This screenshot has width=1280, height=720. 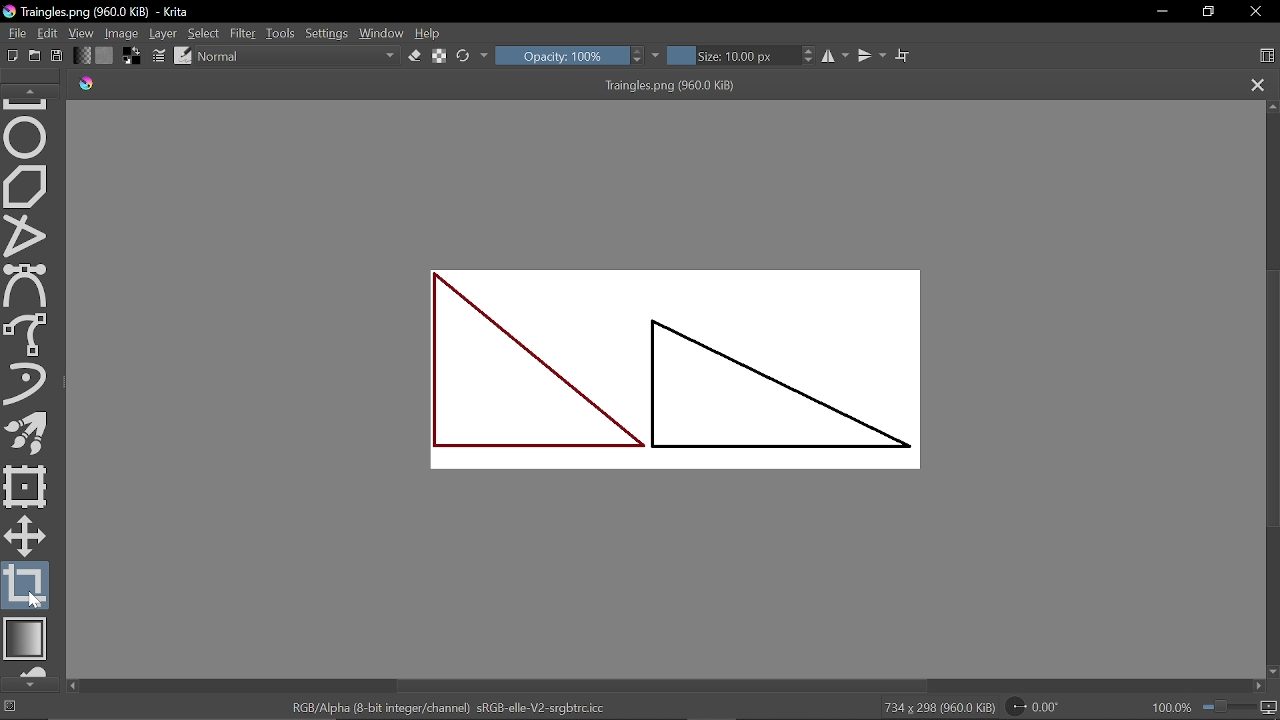 I want to click on move left, so click(x=72, y=686).